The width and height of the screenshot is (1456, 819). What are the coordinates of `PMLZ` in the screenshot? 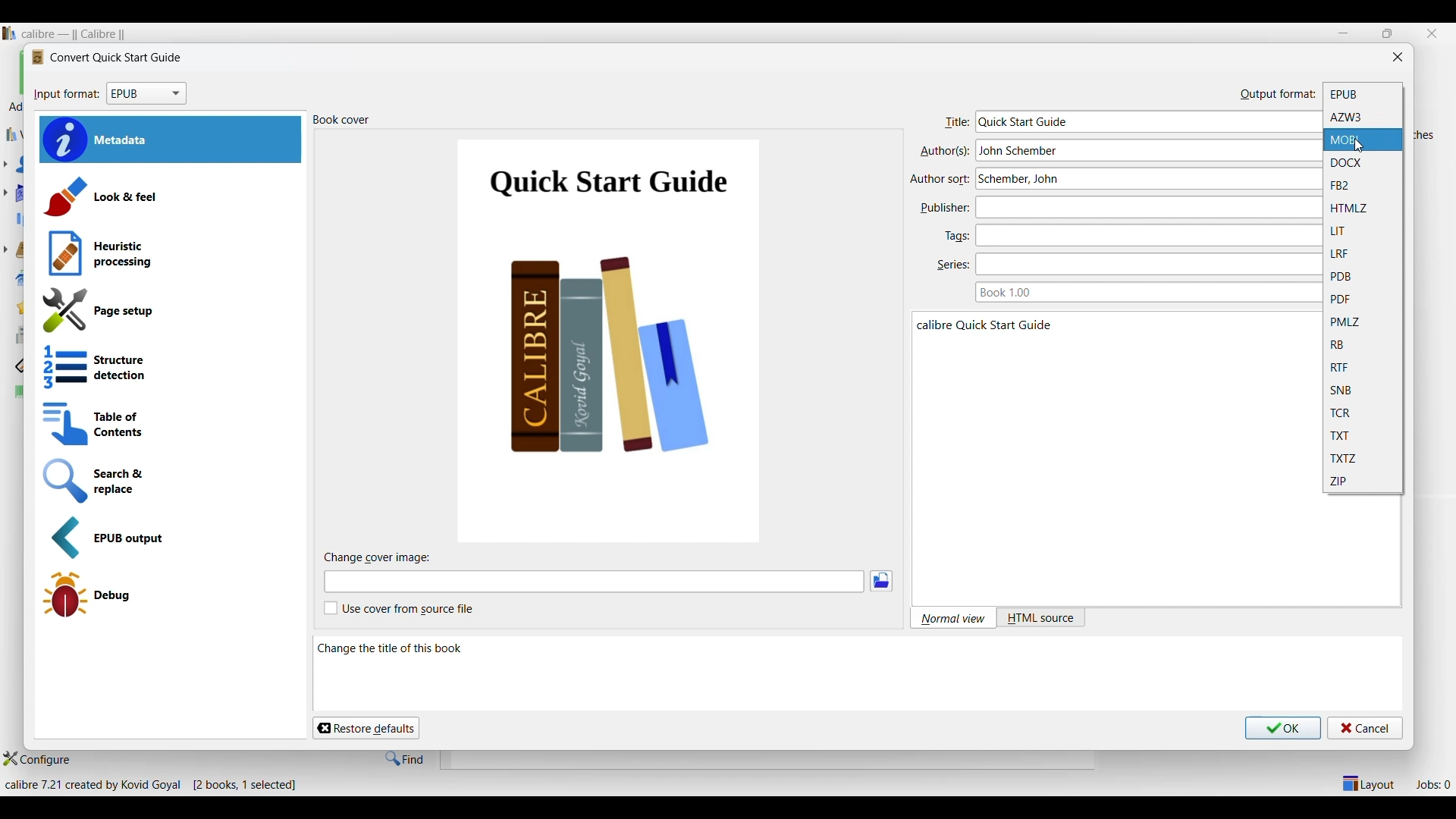 It's located at (1363, 322).